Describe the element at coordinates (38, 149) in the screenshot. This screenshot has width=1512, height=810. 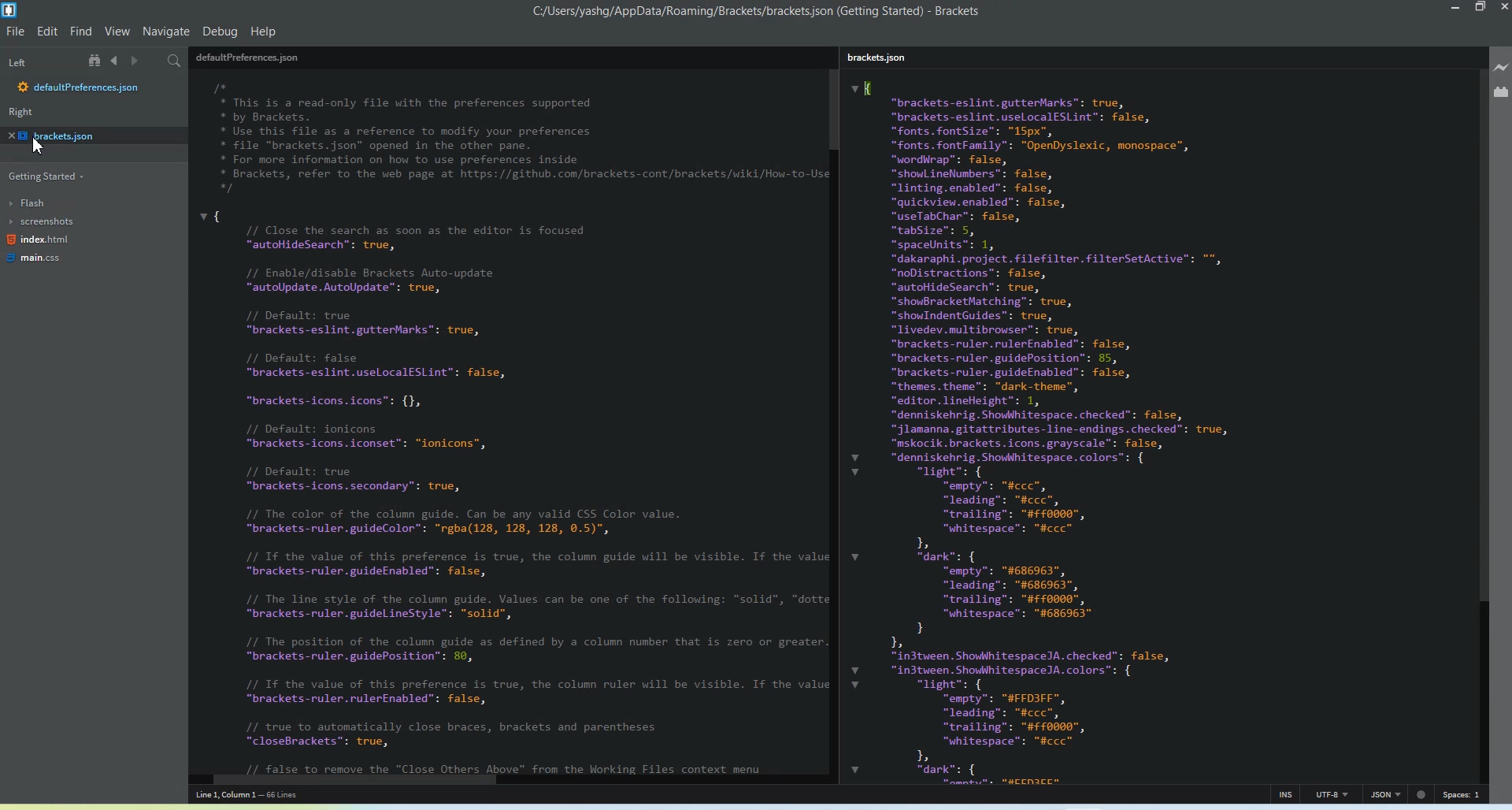
I see `cursor` at that location.